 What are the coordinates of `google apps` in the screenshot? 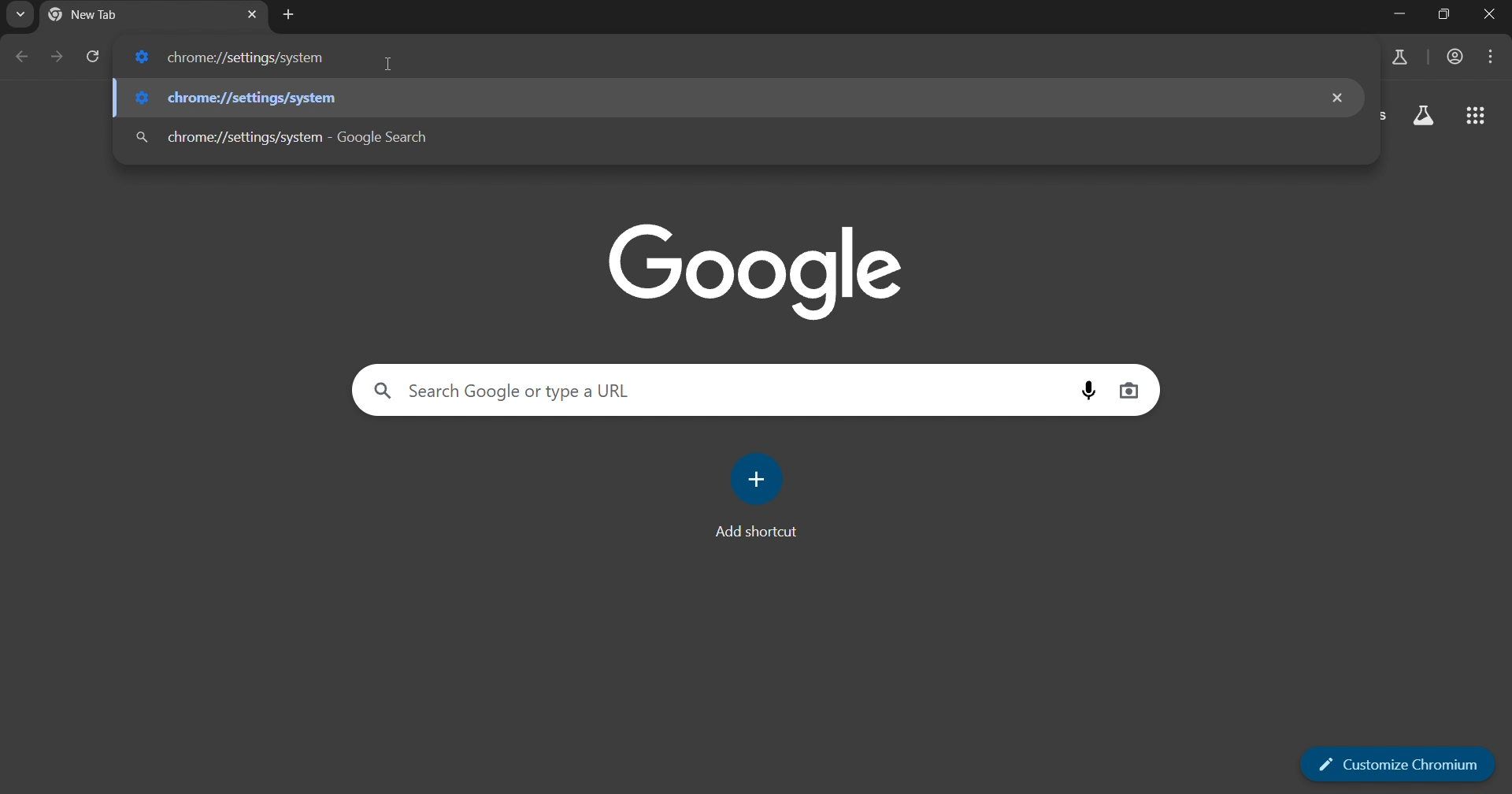 It's located at (1478, 117).